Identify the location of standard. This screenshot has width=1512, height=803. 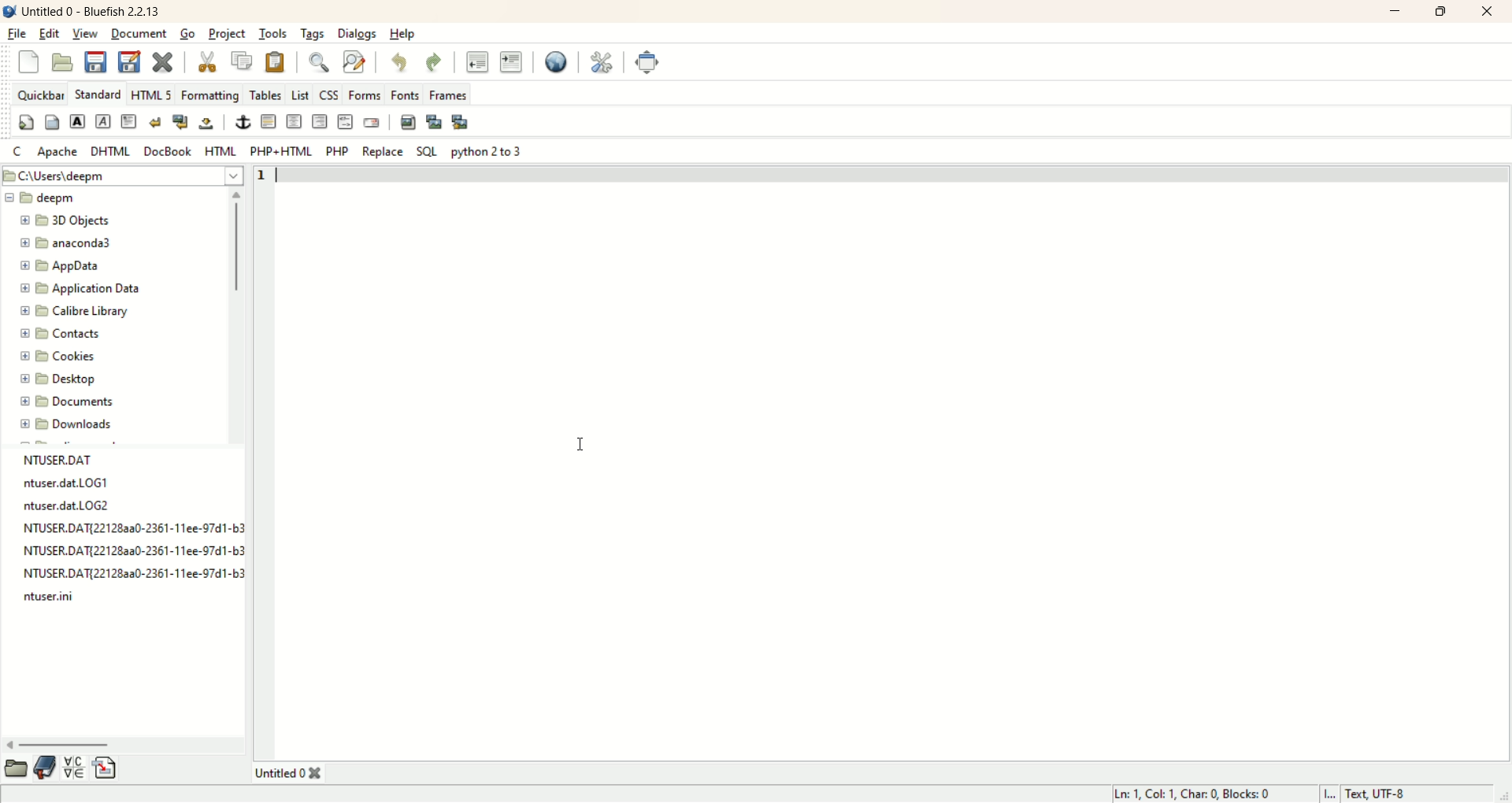
(98, 94).